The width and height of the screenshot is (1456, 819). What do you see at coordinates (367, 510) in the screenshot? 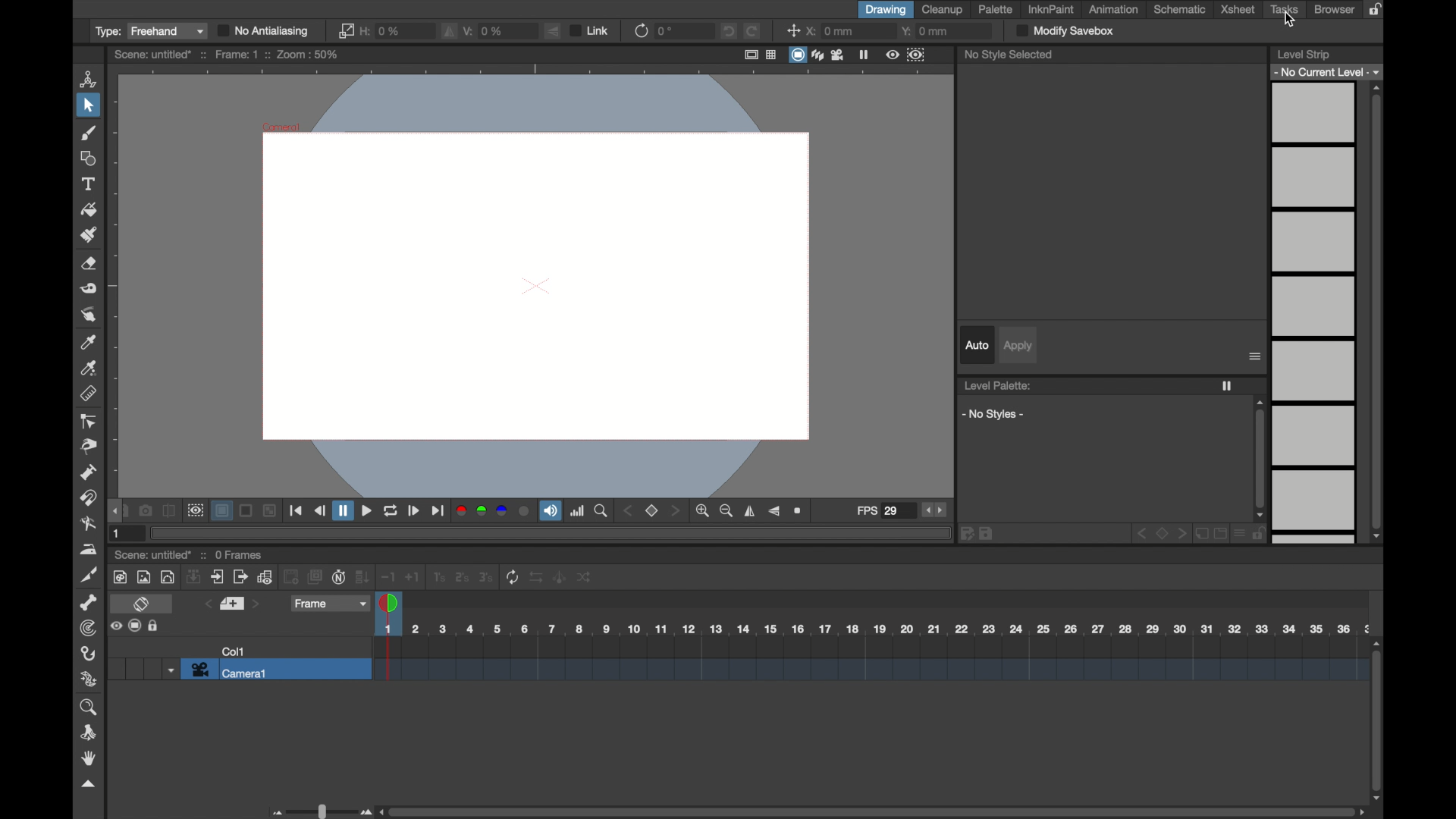
I see `play` at bounding box center [367, 510].